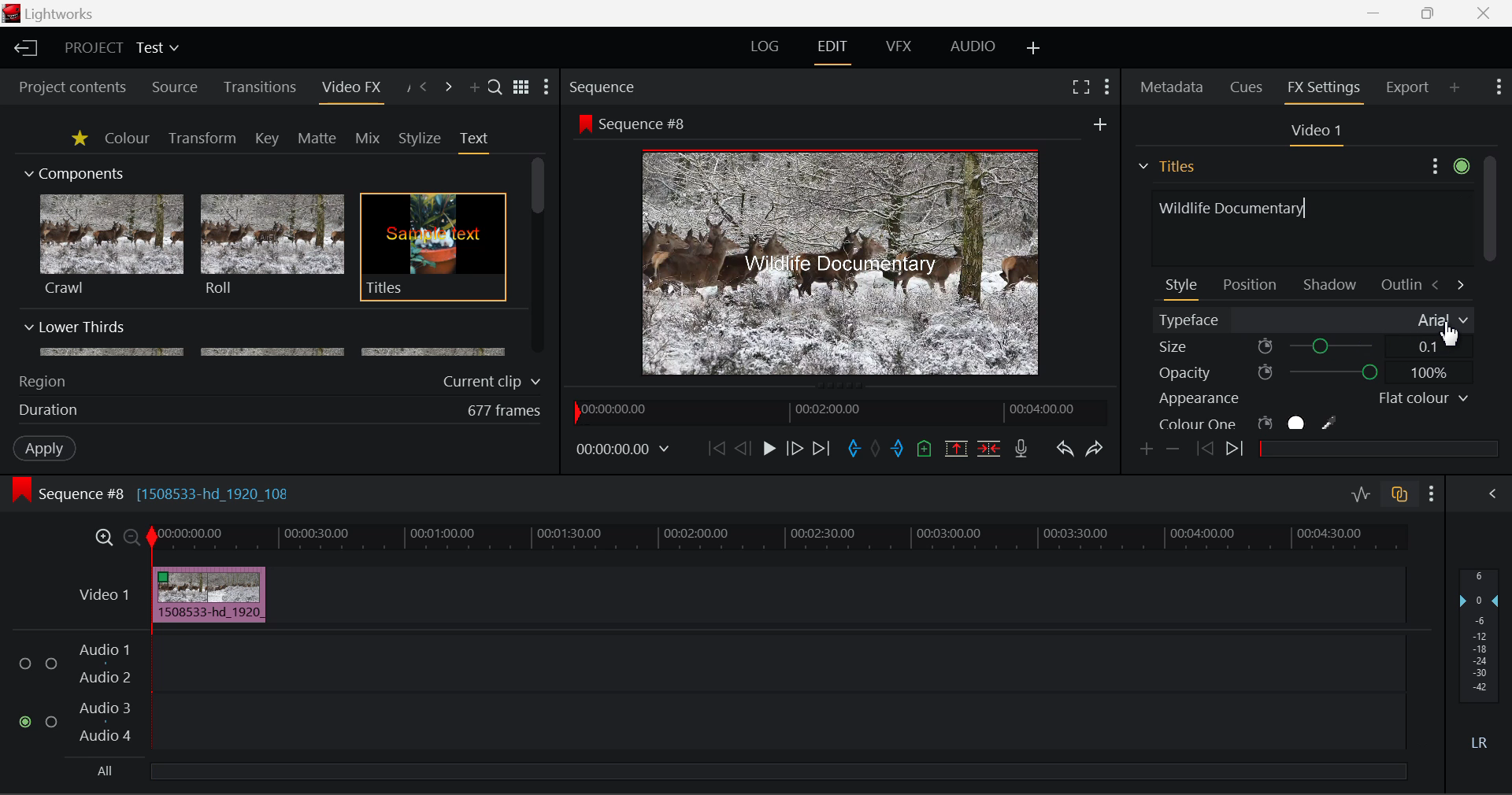 This screenshot has width=1512, height=795. What do you see at coordinates (1326, 90) in the screenshot?
I see `FX Settings Open` at bounding box center [1326, 90].